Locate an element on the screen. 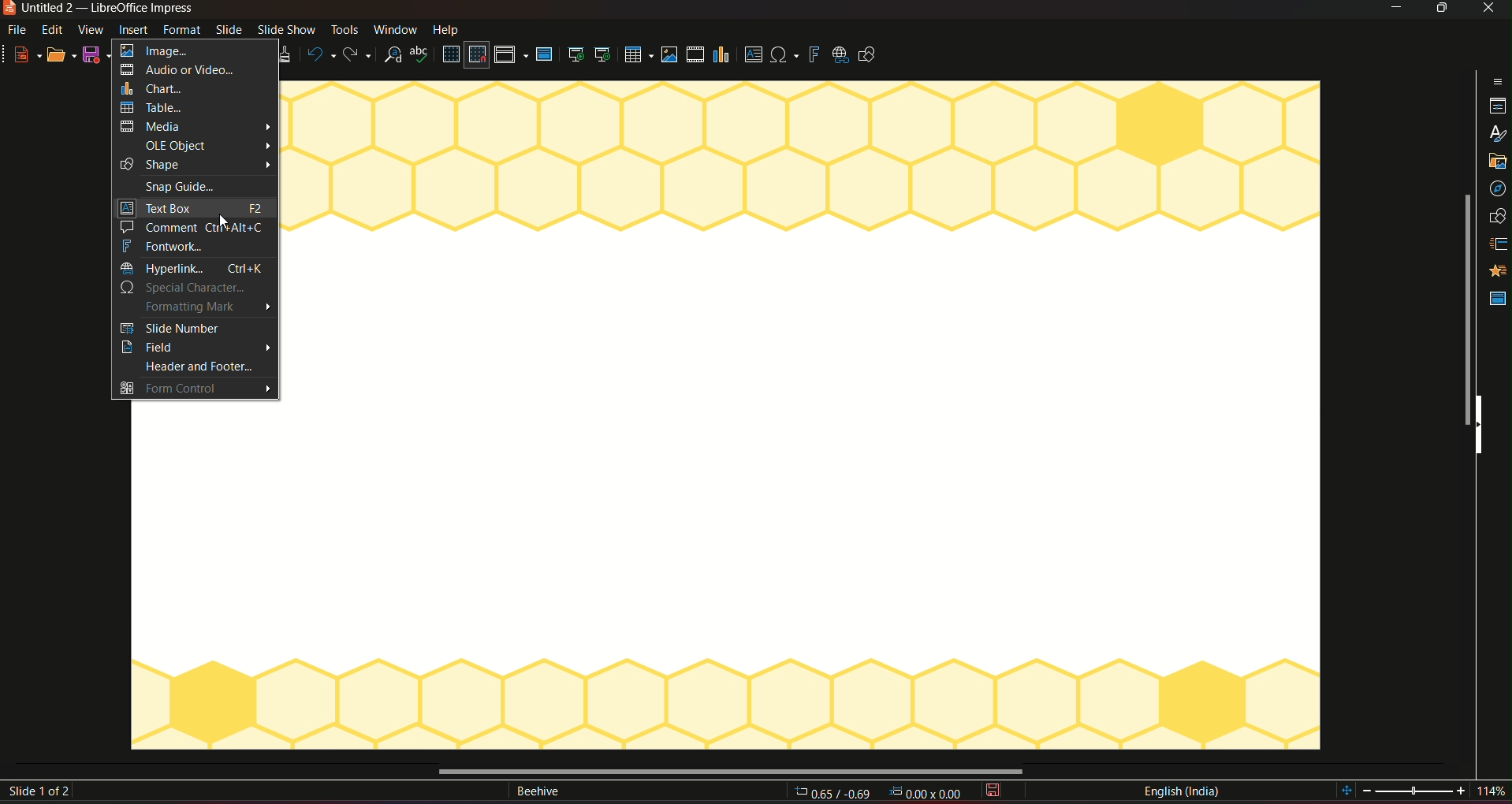  insert special character is located at coordinates (784, 53).